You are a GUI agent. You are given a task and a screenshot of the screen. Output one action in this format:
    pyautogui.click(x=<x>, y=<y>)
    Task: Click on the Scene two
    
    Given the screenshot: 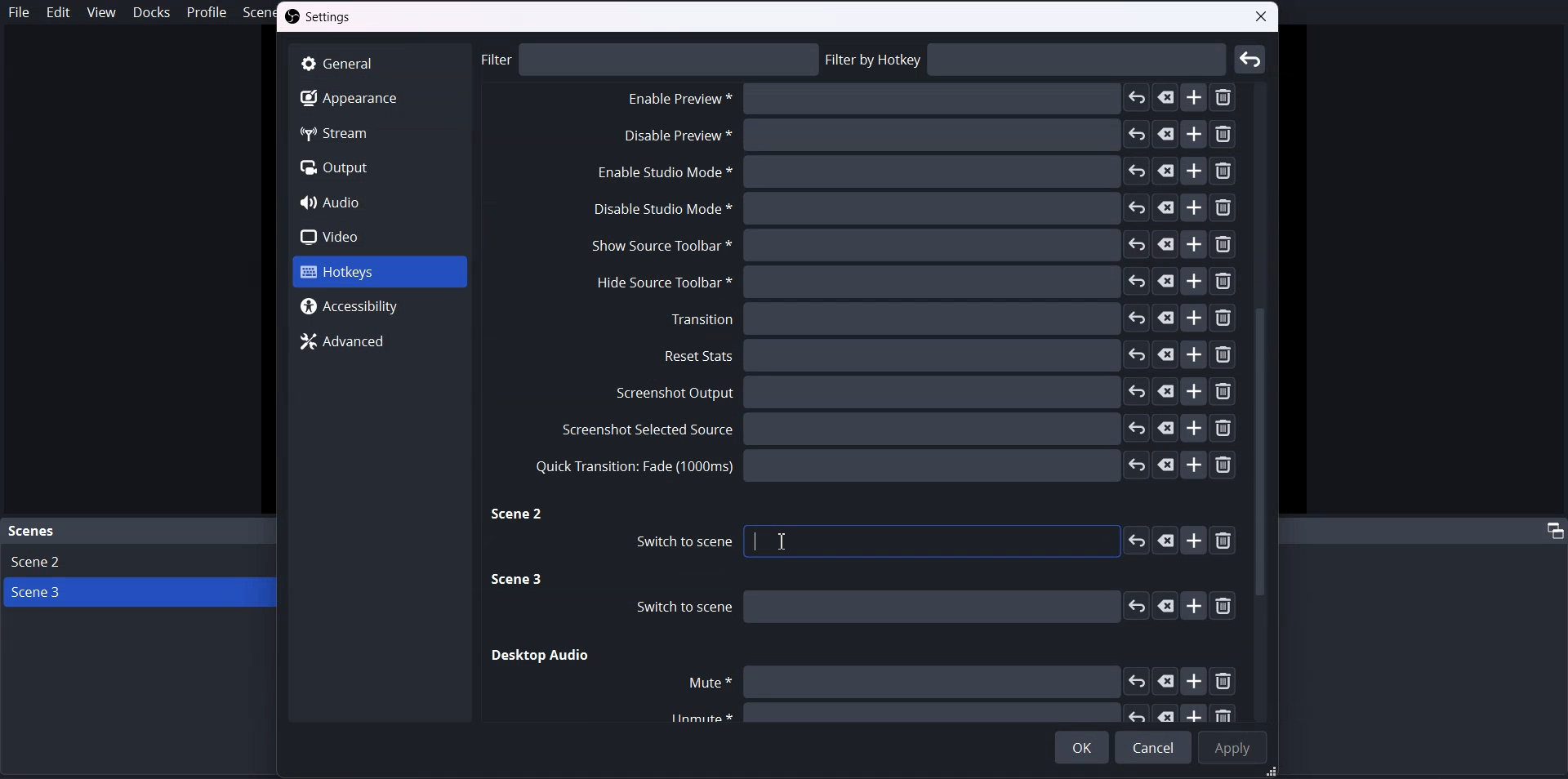 What is the action you would take?
    pyautogui.click(x=519, y=515)
    